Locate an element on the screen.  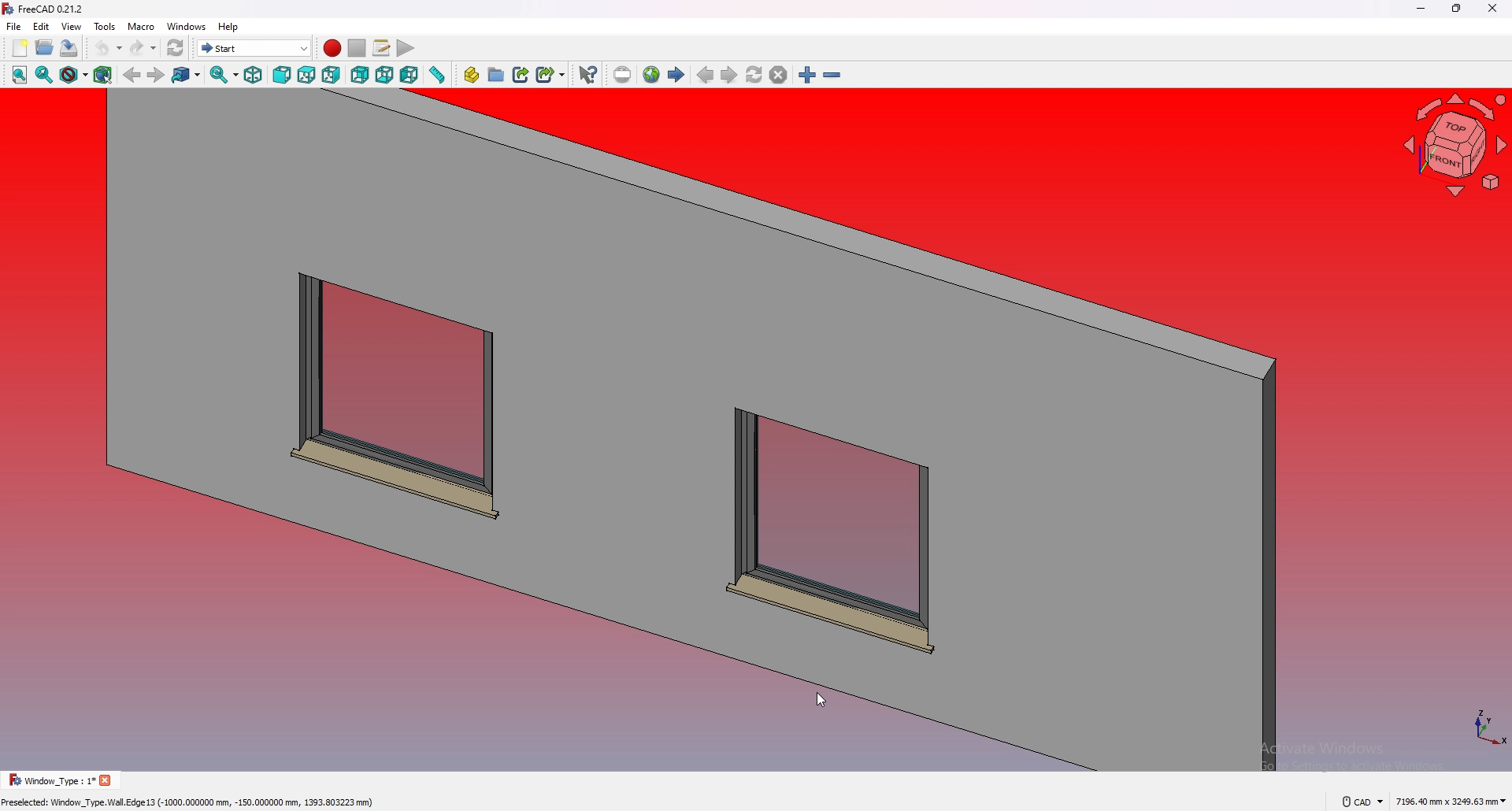
macros is located at coordinates (383, 48).